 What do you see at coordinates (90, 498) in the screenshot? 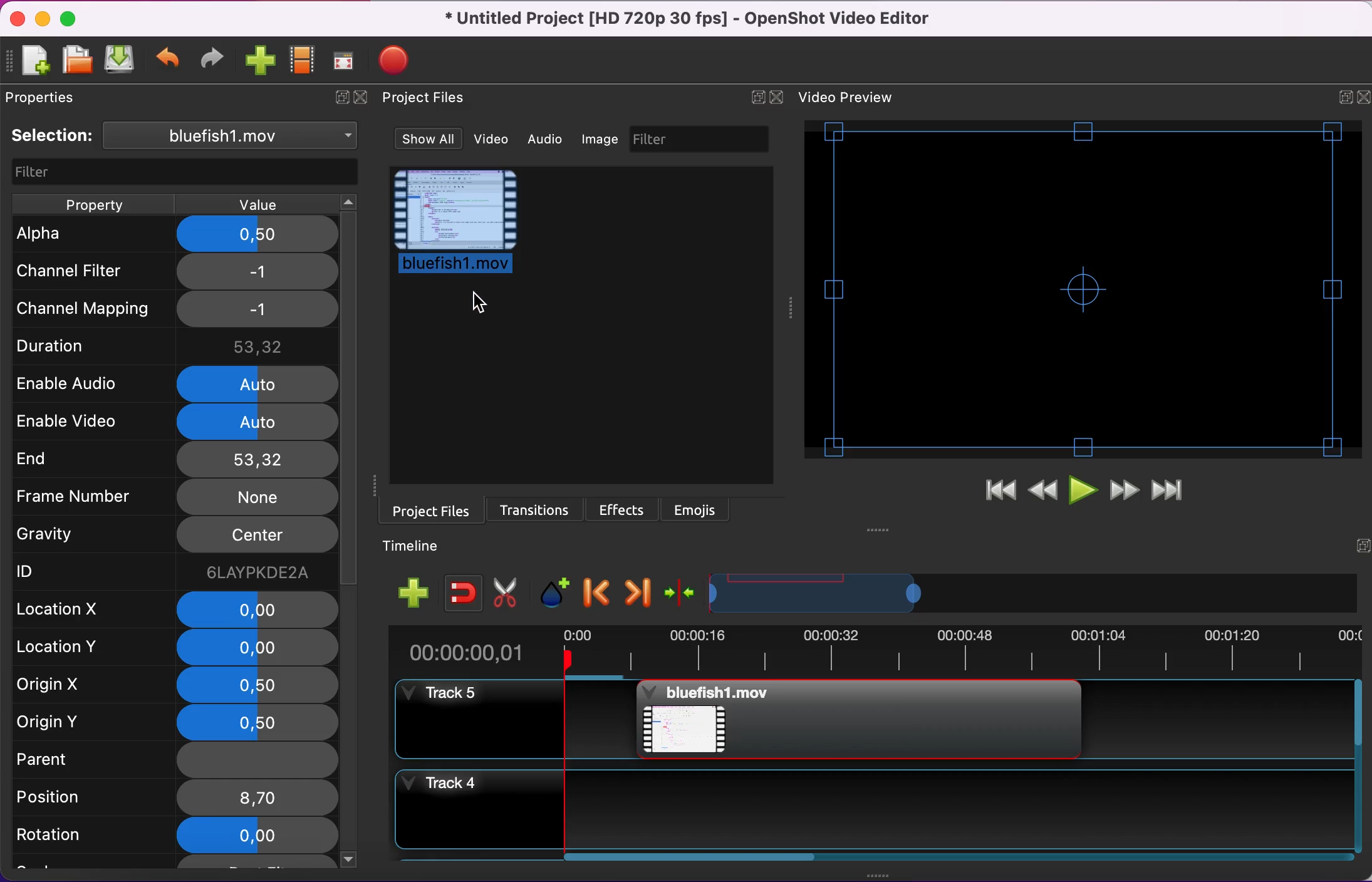
I see `frame number` at bounding box center [90, 498].